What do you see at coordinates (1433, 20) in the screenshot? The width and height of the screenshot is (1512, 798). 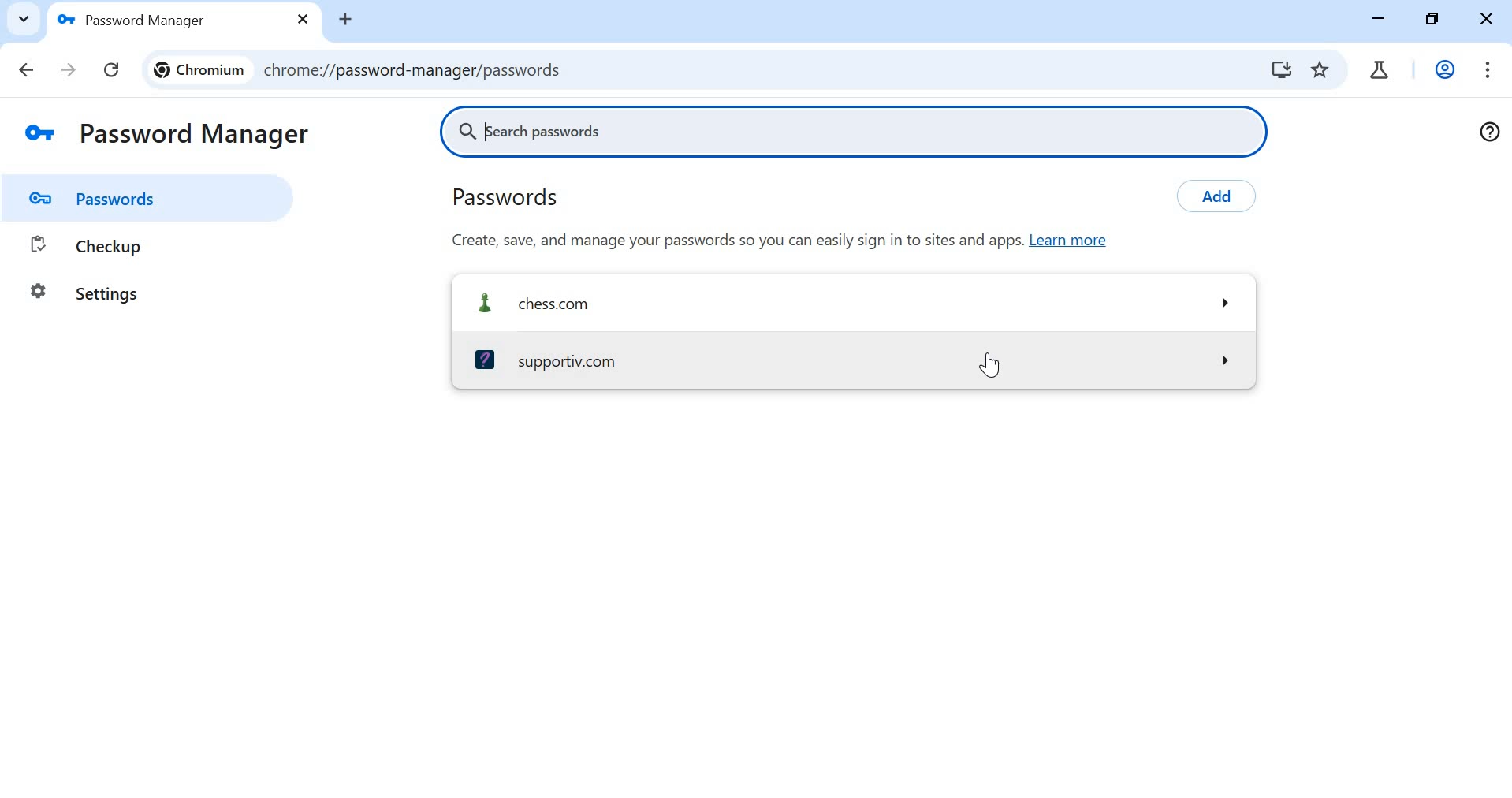 I see `restore down` at bounding box center [1433, 20].